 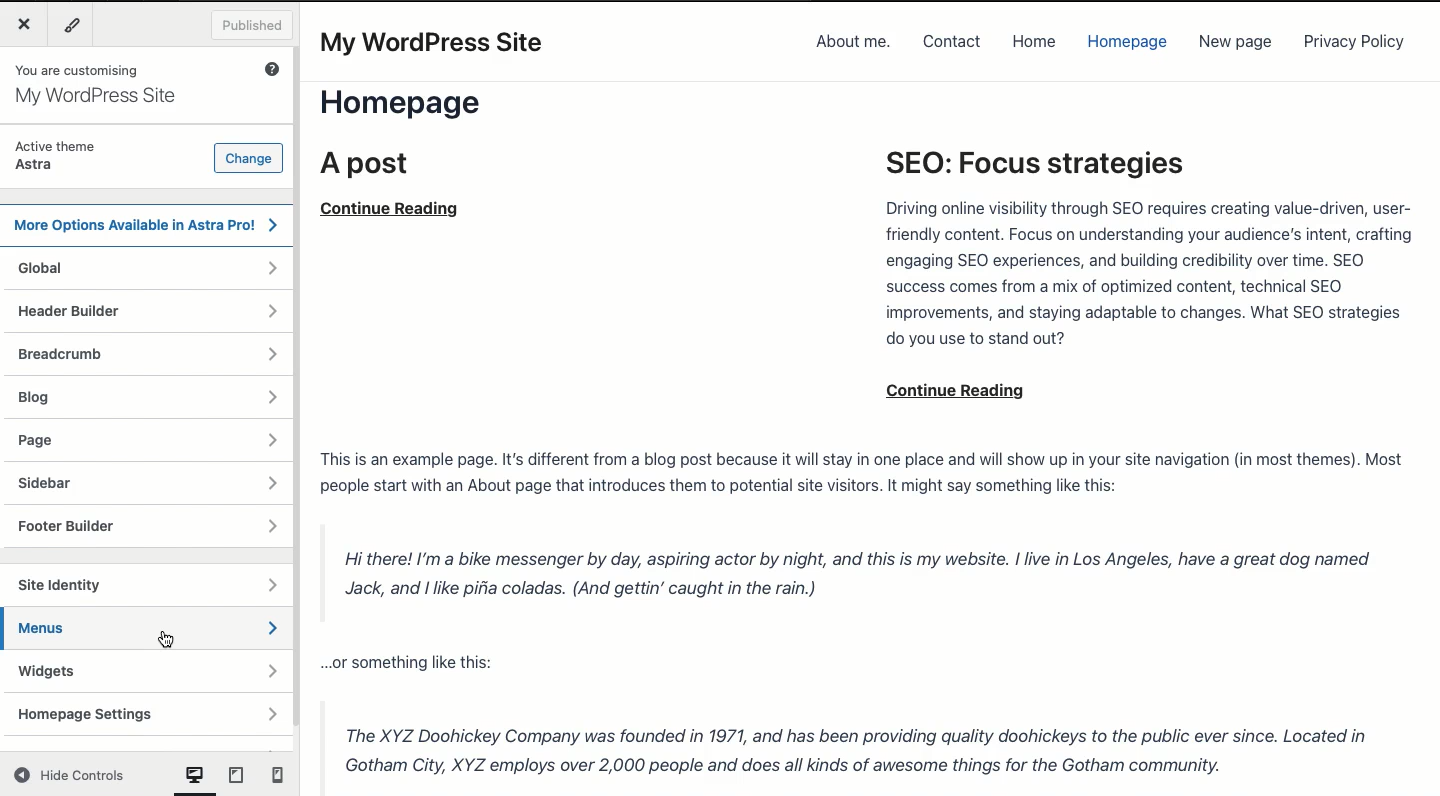 What do you see at coordinates (1124, 42) in the screenshot?
I see `Homepage` at bounding box center [1124, 42].